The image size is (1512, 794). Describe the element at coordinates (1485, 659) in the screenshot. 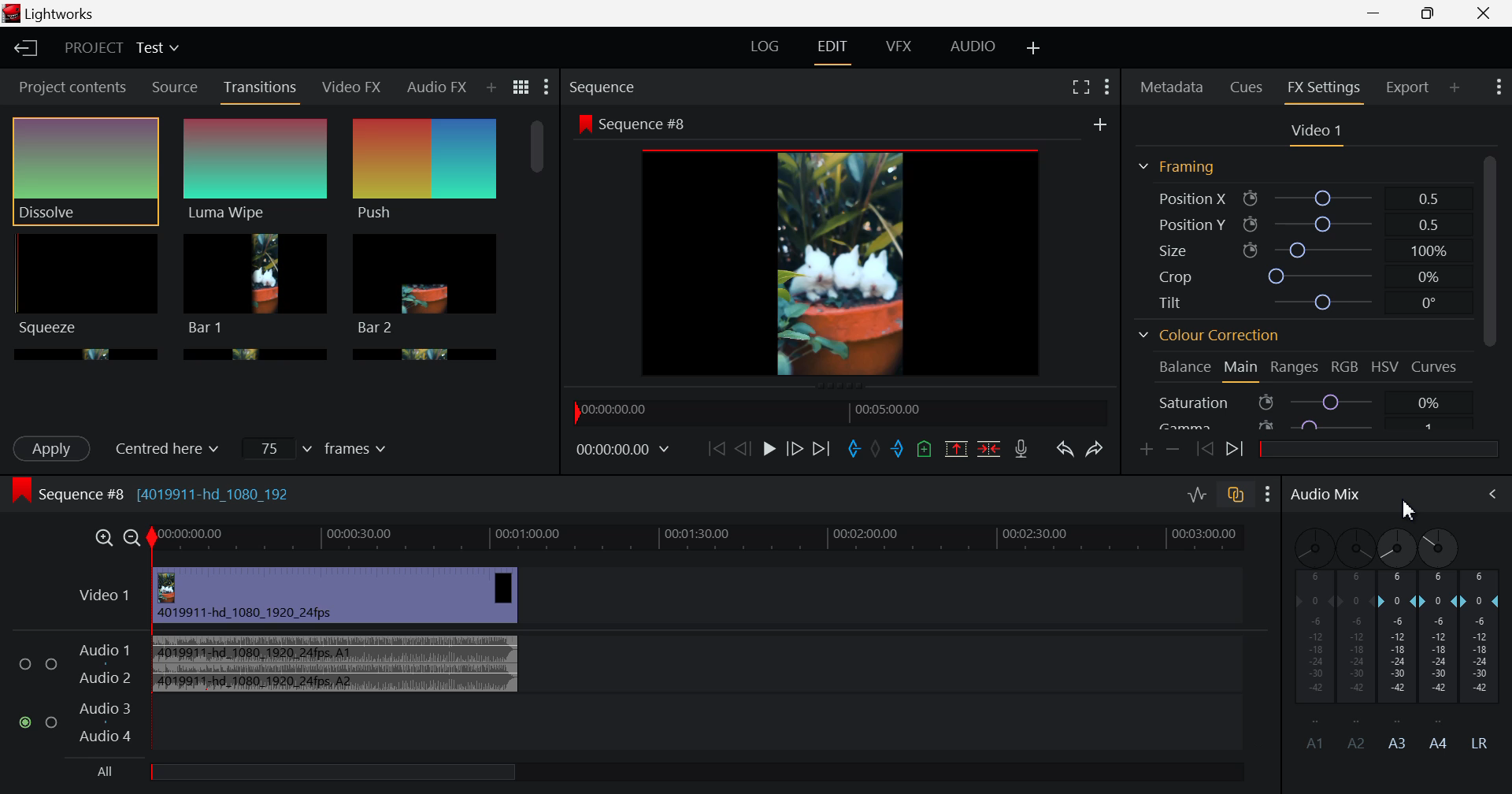

I see `LR Decibel Level` at that location.